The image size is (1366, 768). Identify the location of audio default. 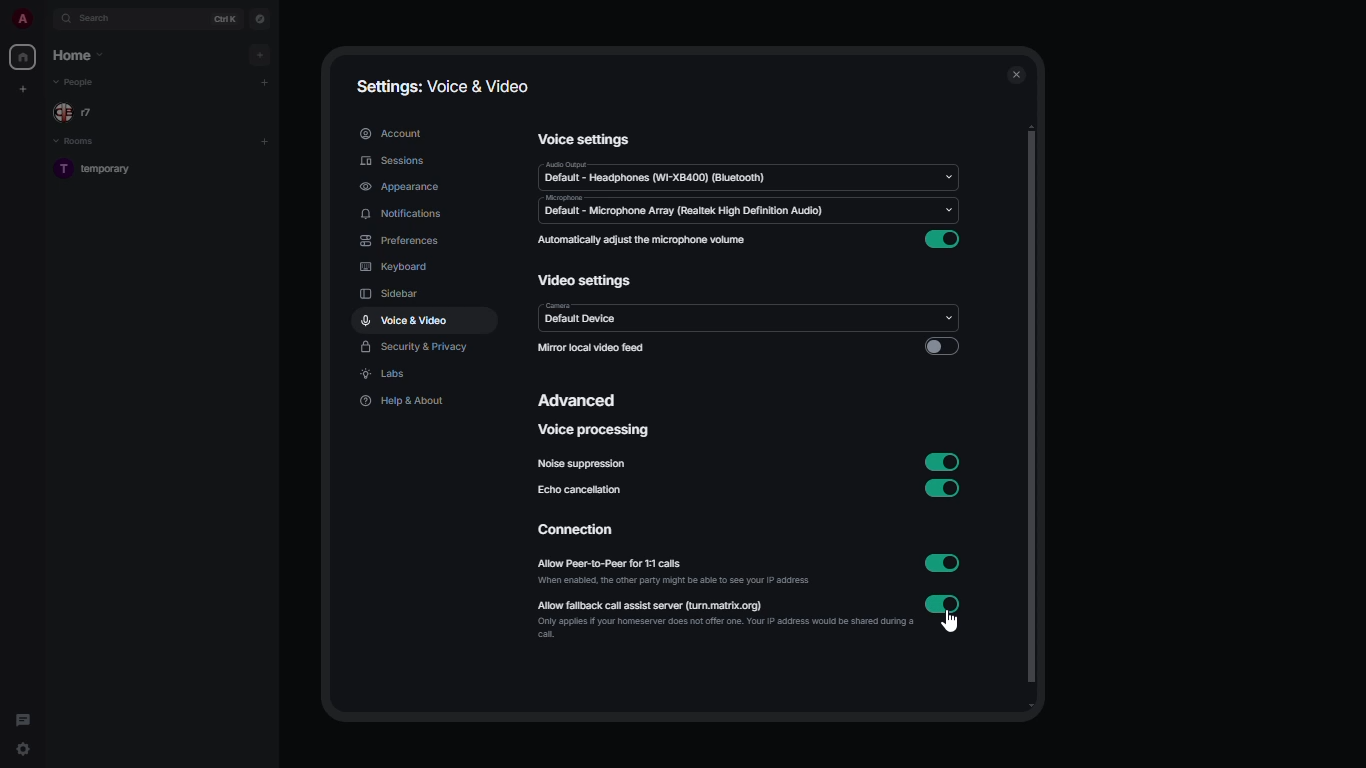
(656, 172).